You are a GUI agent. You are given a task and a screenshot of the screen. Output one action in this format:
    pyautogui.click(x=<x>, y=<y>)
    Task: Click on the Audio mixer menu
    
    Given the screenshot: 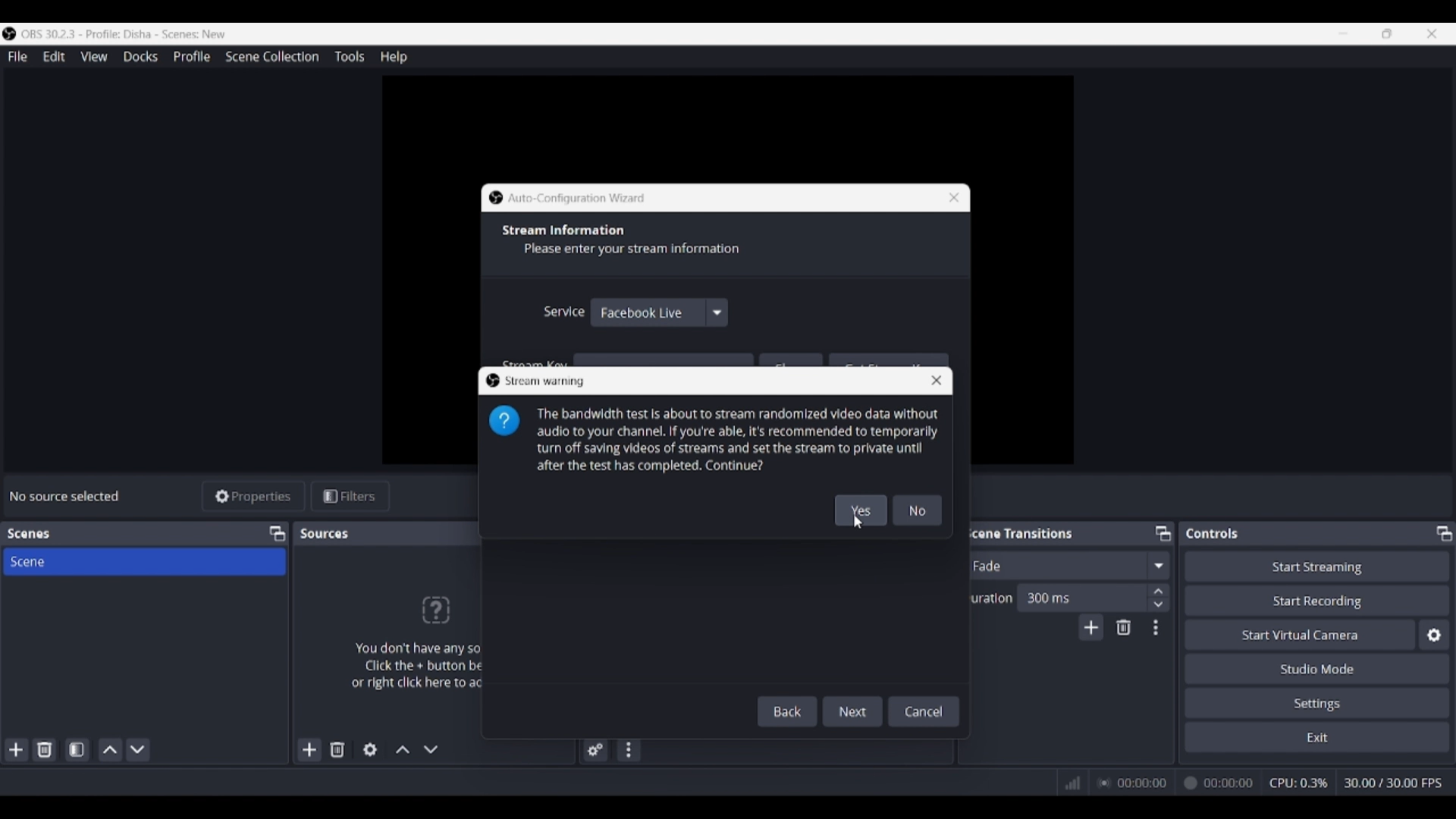 What is the action you would take?
    pyautogui.click(x=628, y=750)
    